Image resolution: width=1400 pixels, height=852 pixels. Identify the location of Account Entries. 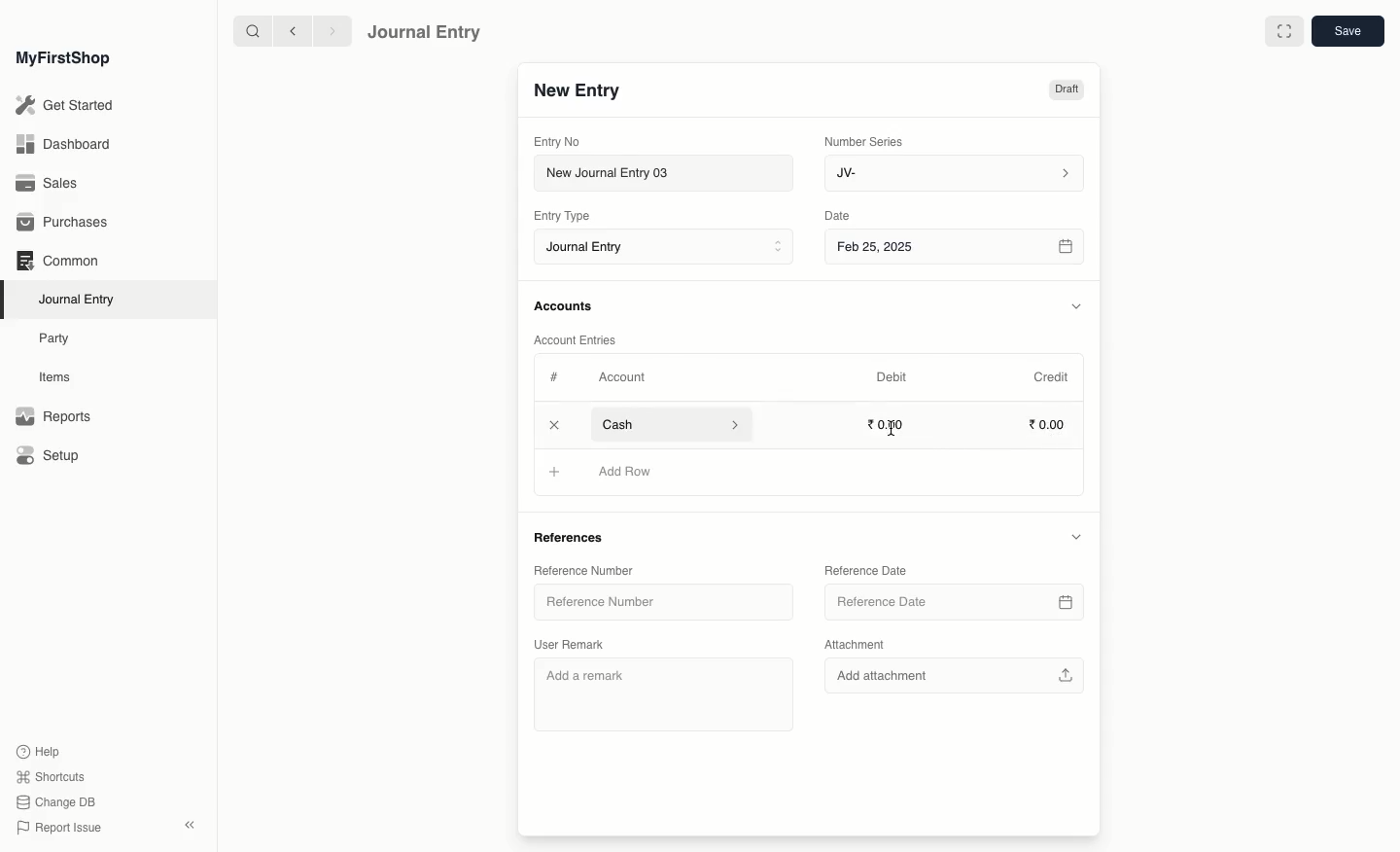
(582, 340).